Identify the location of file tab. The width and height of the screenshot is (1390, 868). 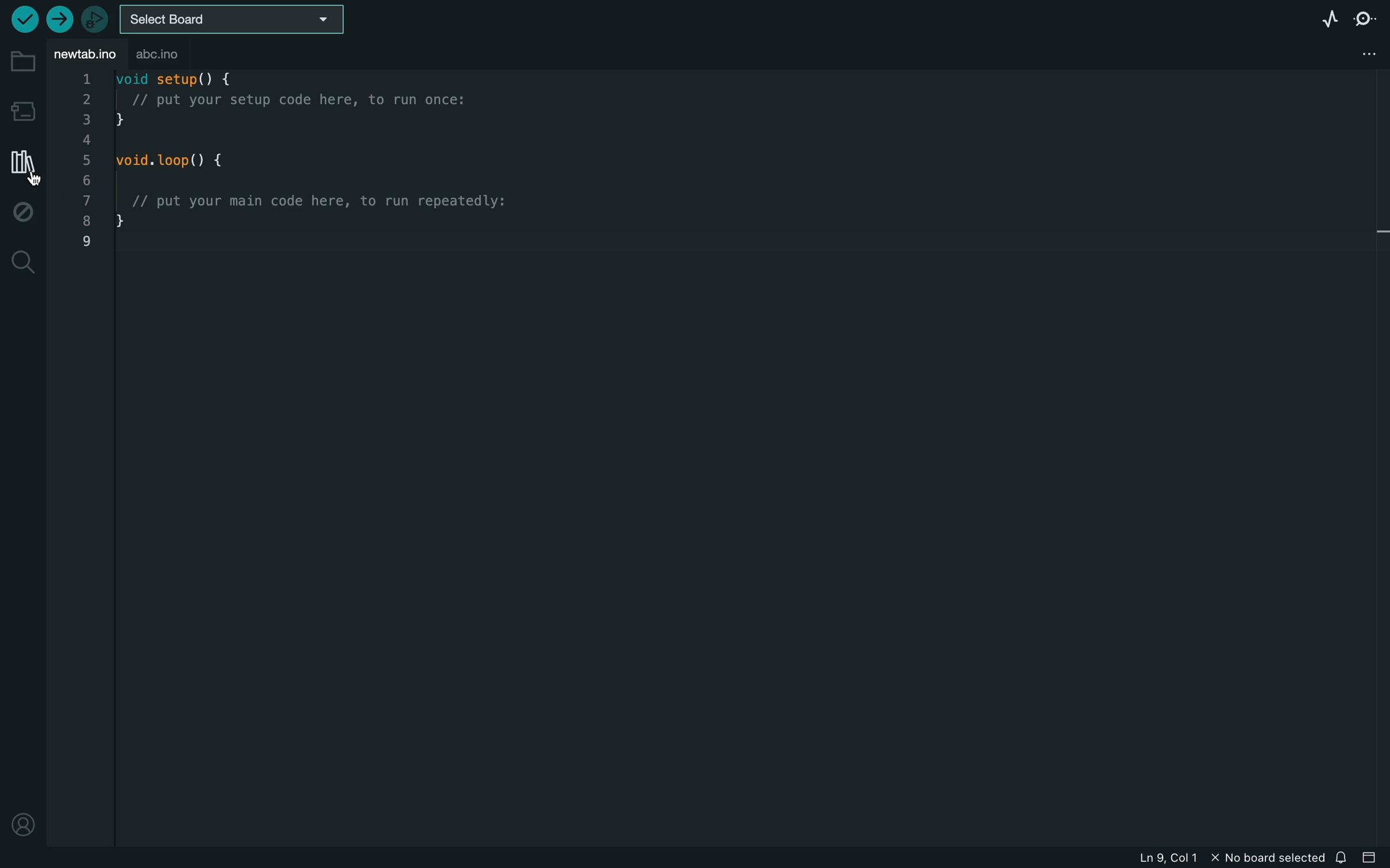
(82, 54).